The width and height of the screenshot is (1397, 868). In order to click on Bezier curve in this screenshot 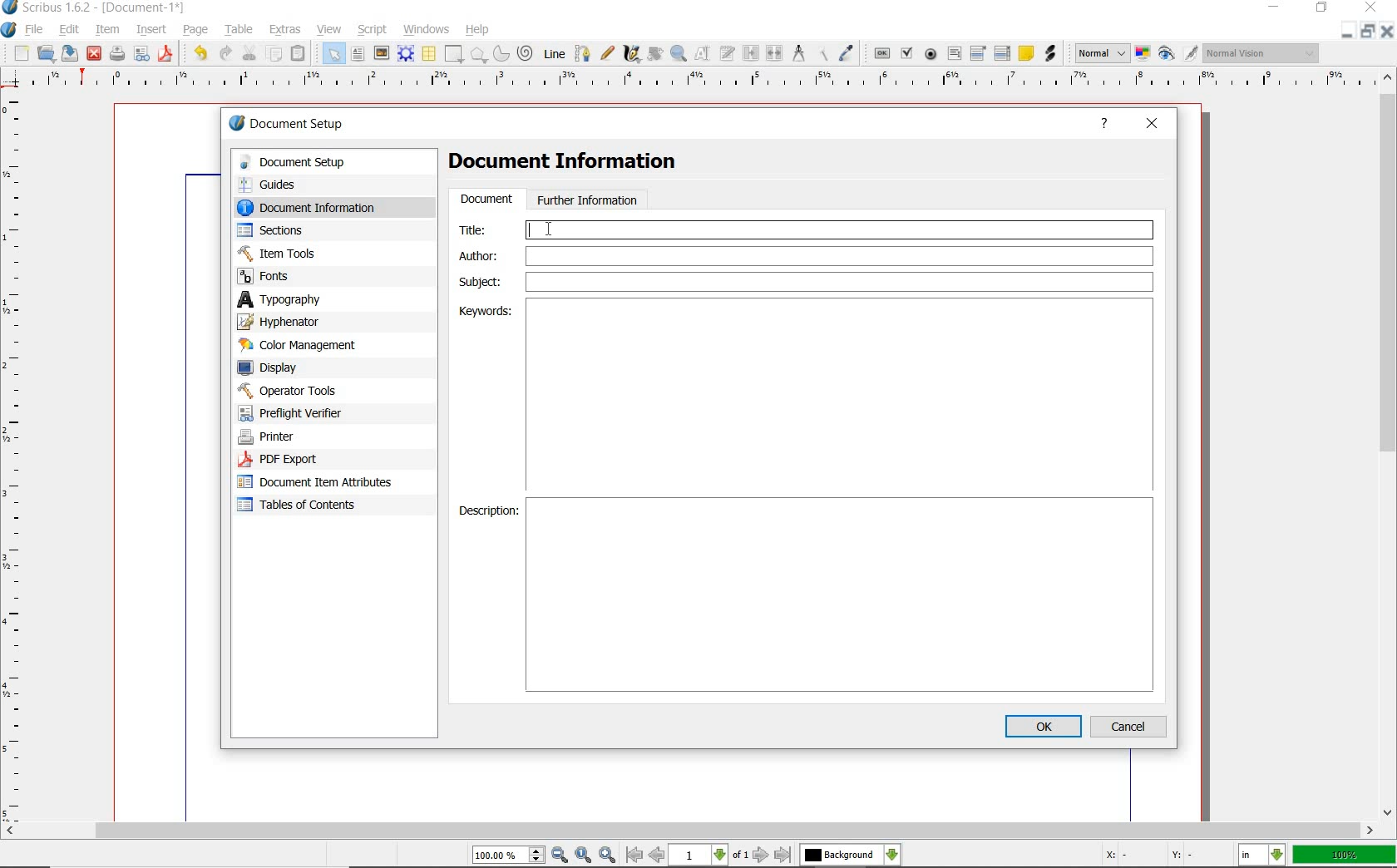, I will do `click(582, 53)`.